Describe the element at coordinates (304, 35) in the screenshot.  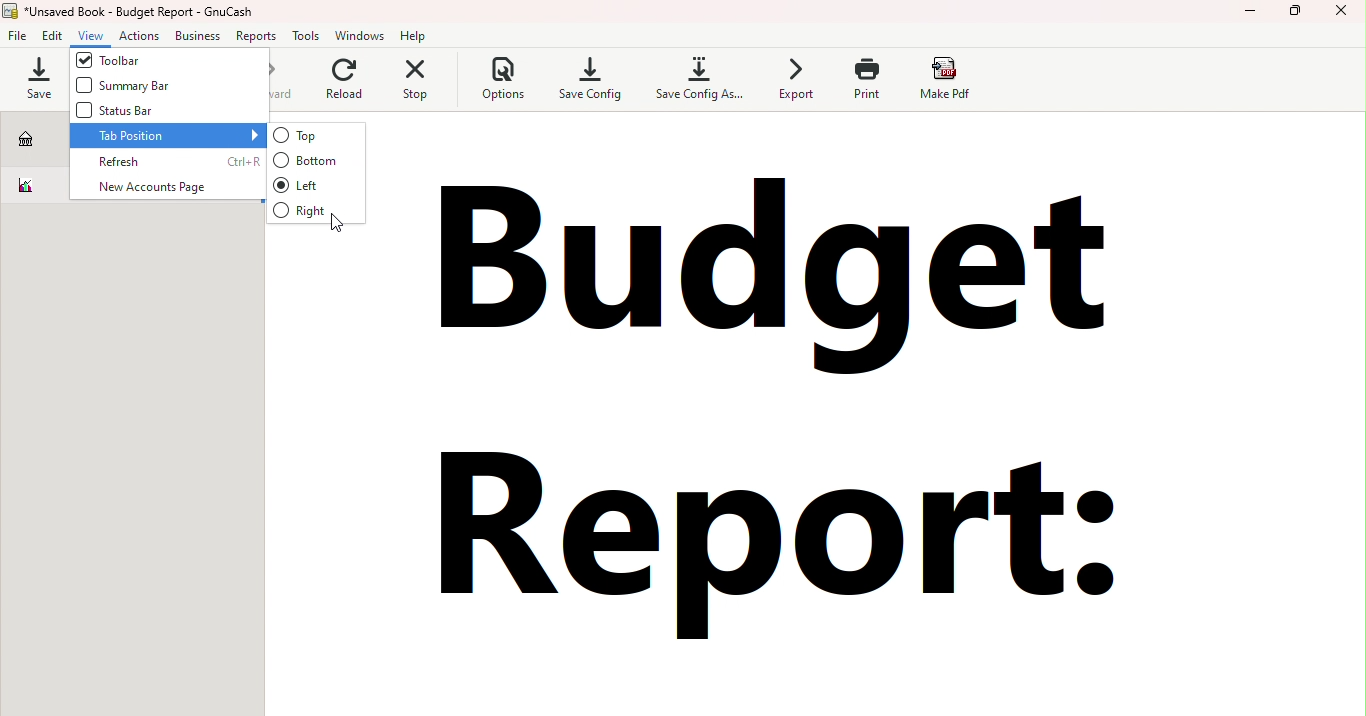
I see `Tools` at that location.